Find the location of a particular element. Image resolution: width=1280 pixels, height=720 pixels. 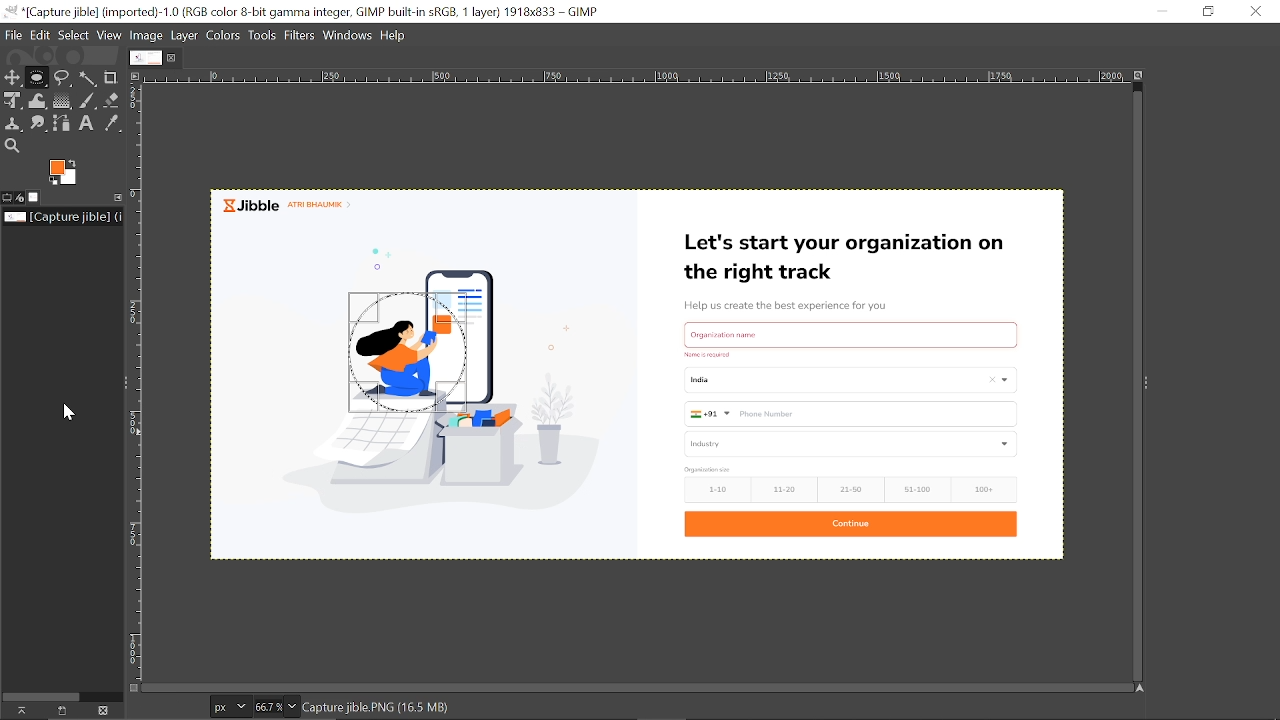

Create a new display for this image is located at coordinates (62, 710).